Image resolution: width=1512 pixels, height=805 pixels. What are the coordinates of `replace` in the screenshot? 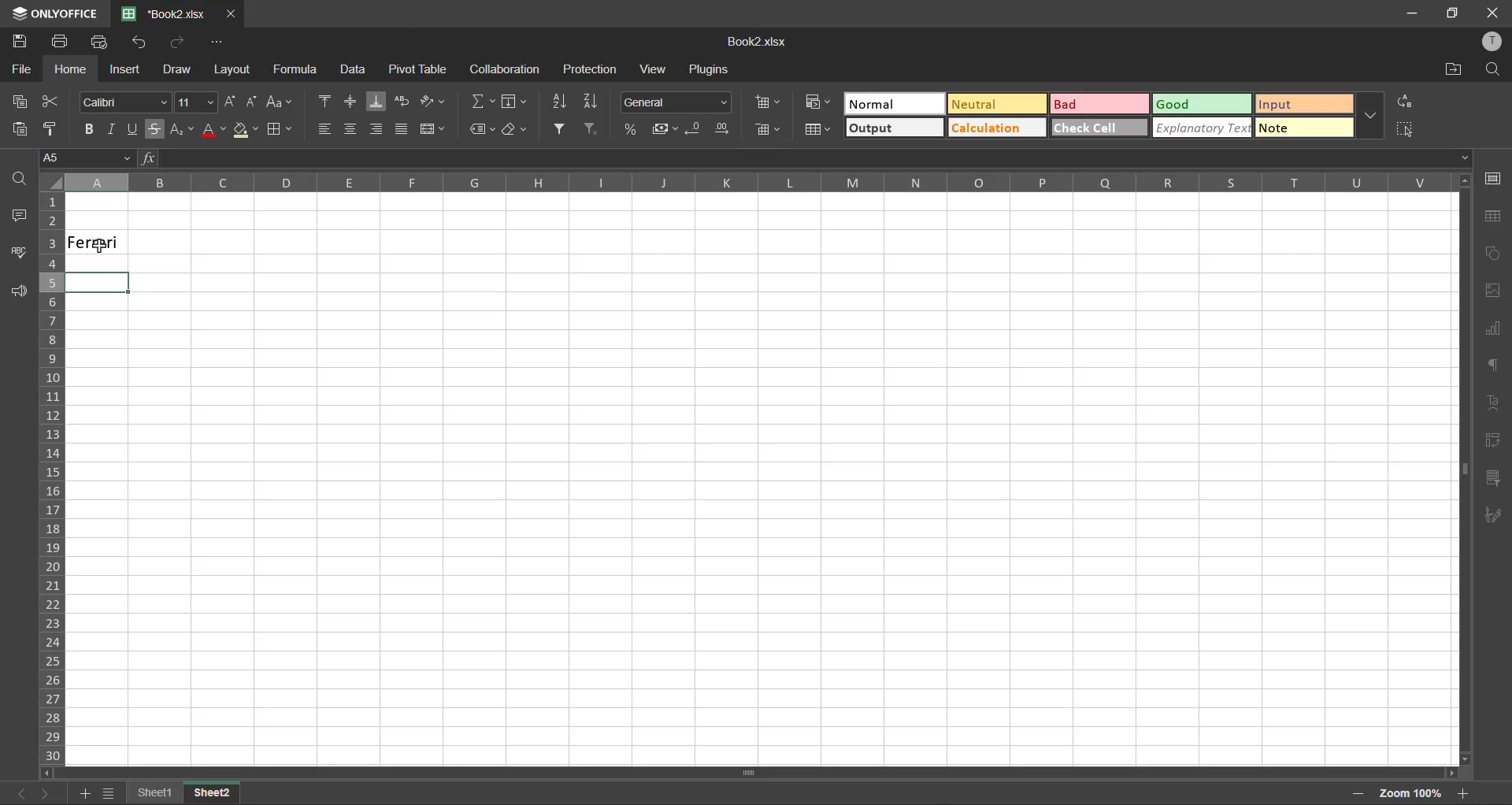 It's located at (1406, 104).